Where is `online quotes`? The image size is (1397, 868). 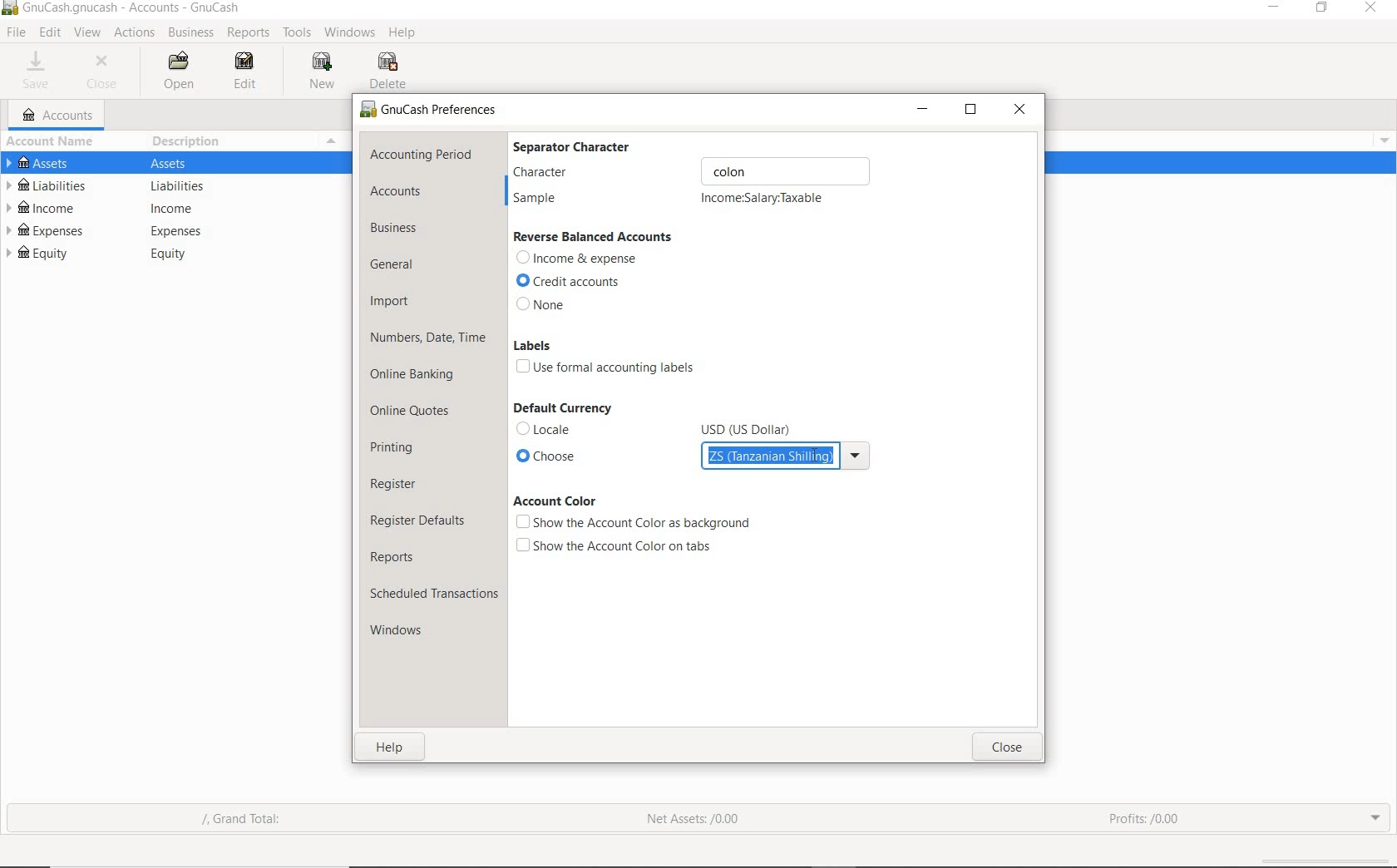
online quotes is located at coordinates (416, 412).